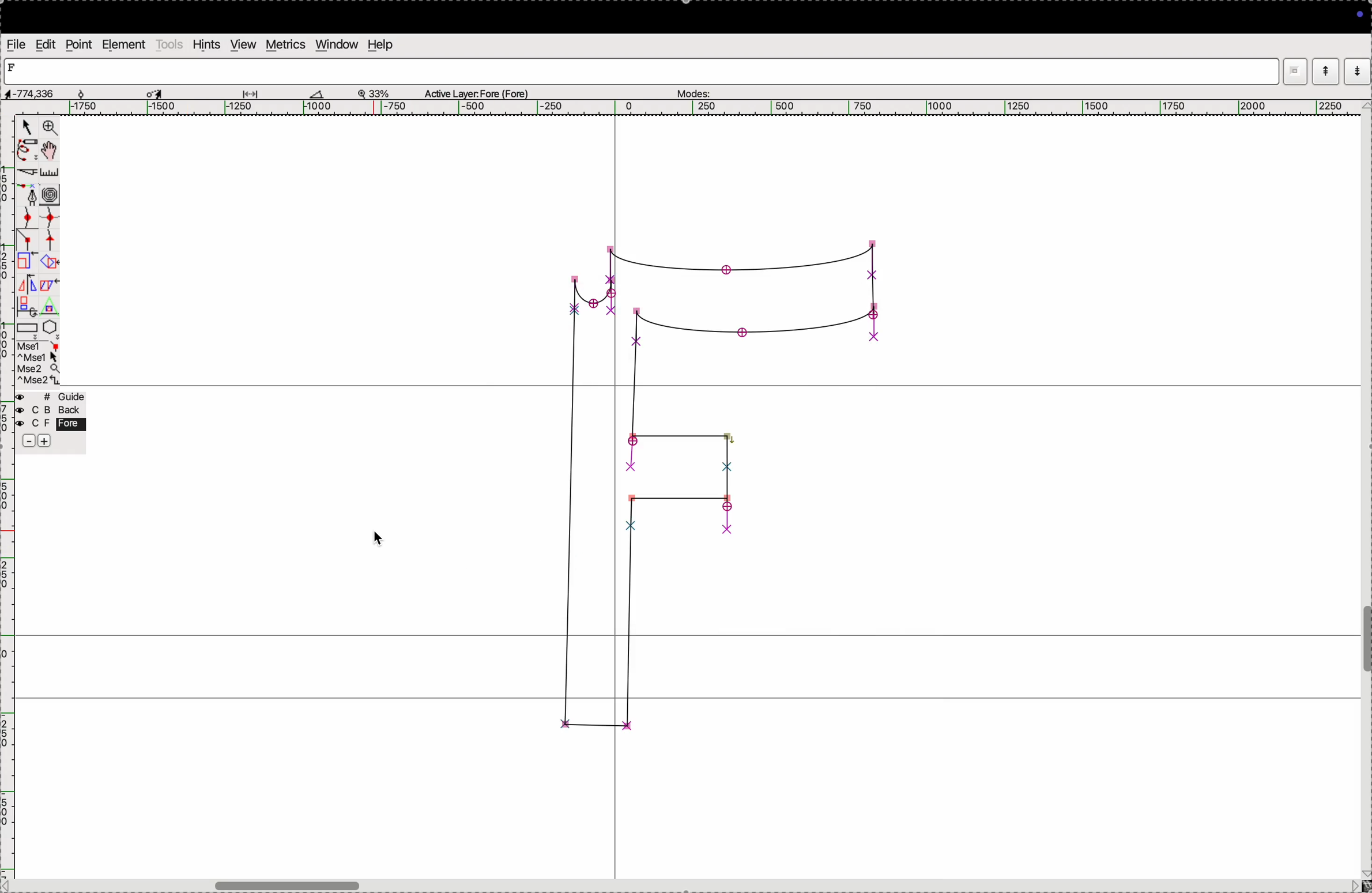 The width and height of the screenshot is (1372, 893). What do you see at coordinates (123, 44) in the screenshot?
I see `element` at bounding box center [123, 44].